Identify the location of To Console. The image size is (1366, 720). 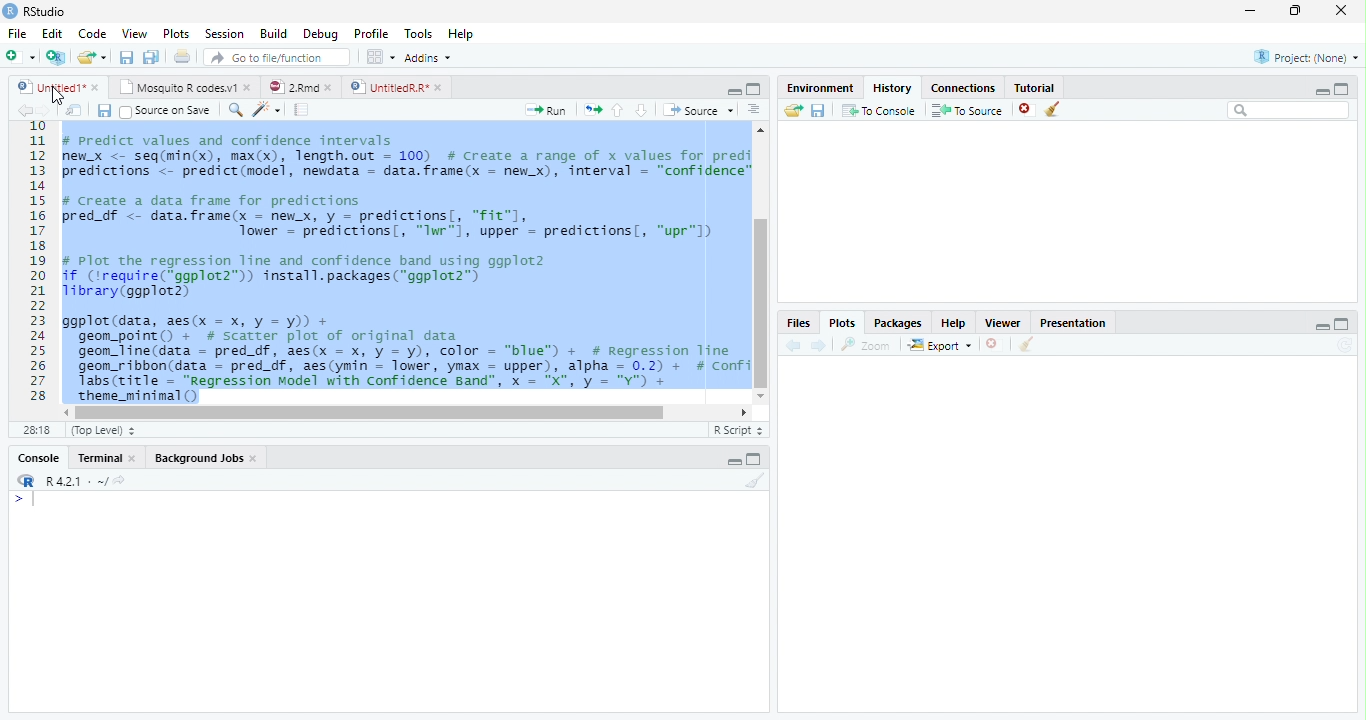
(878, 112).